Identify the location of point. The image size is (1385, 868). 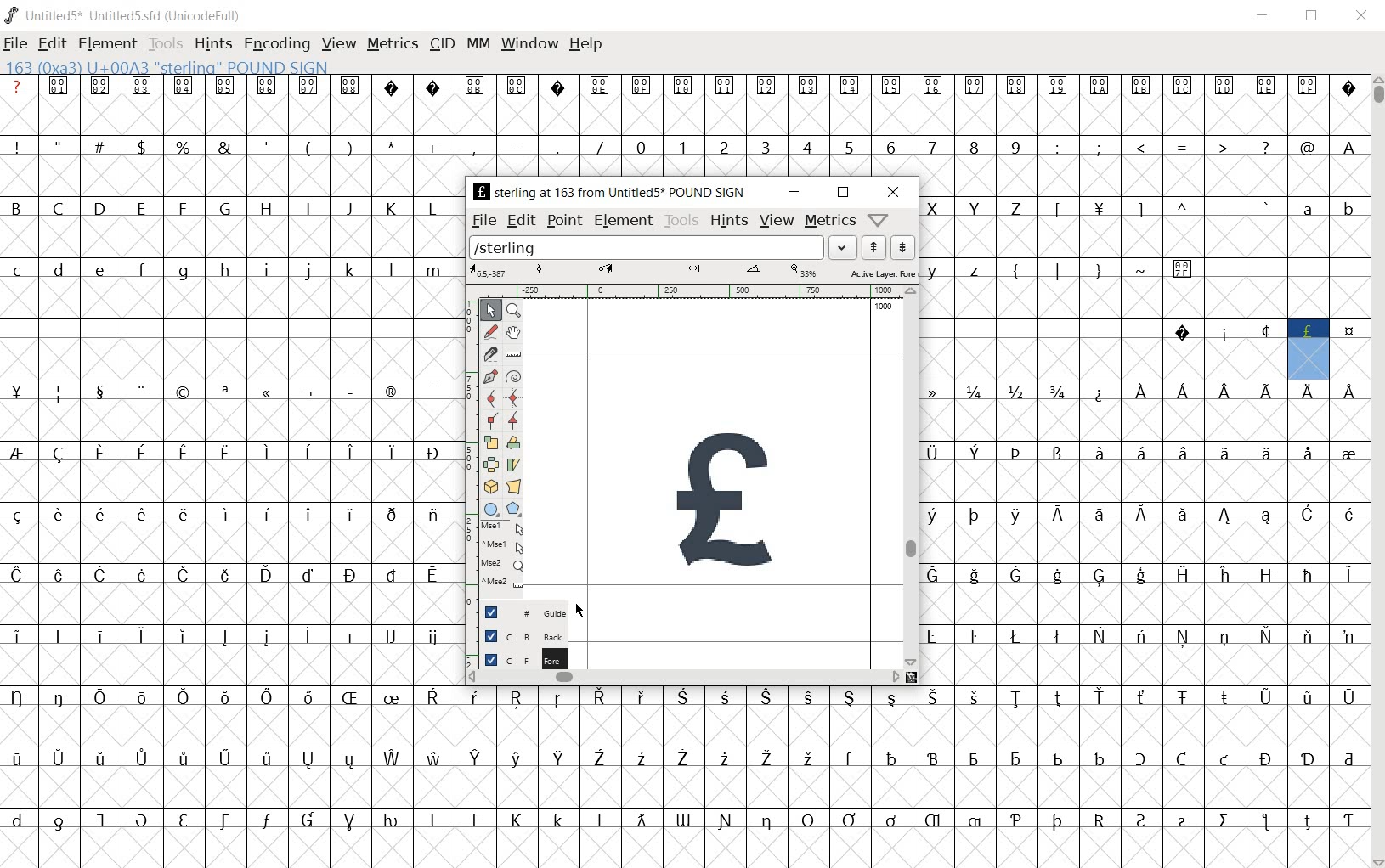
(491, 311).